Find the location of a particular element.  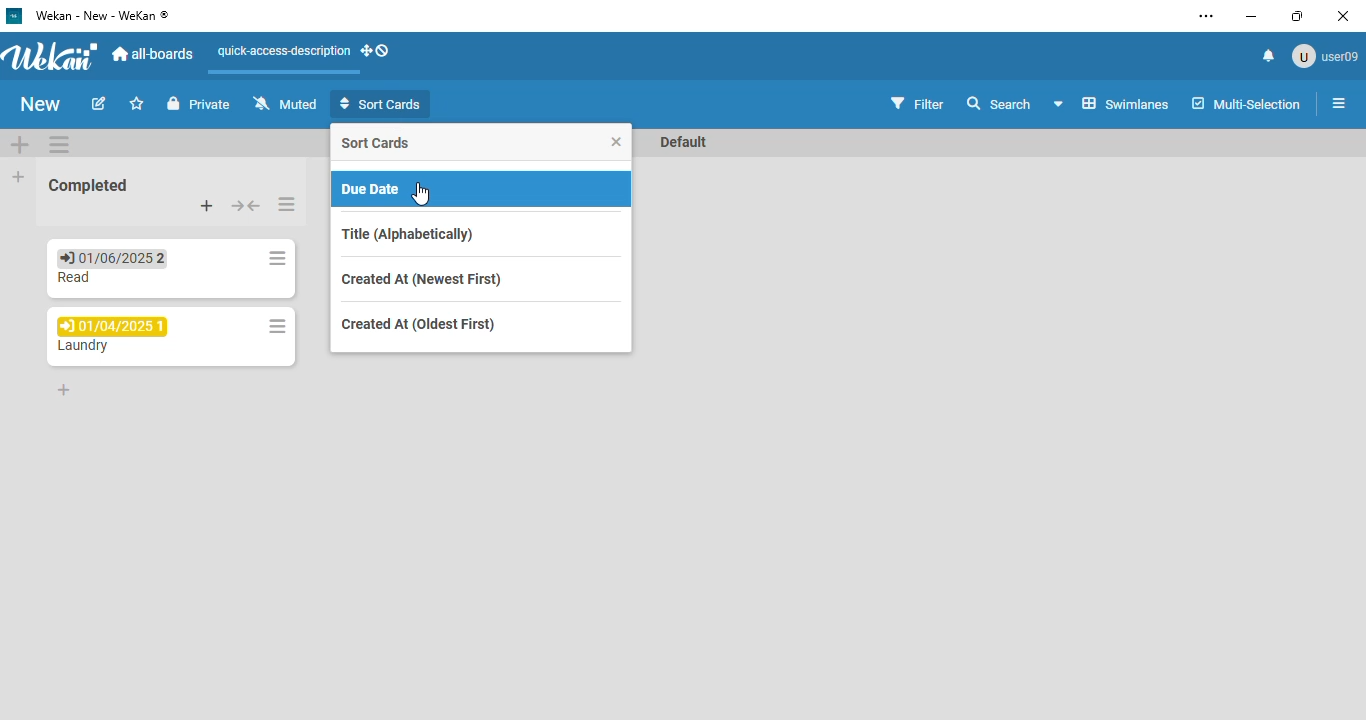

title (alphabetically) is located at coordinates (409, 234).